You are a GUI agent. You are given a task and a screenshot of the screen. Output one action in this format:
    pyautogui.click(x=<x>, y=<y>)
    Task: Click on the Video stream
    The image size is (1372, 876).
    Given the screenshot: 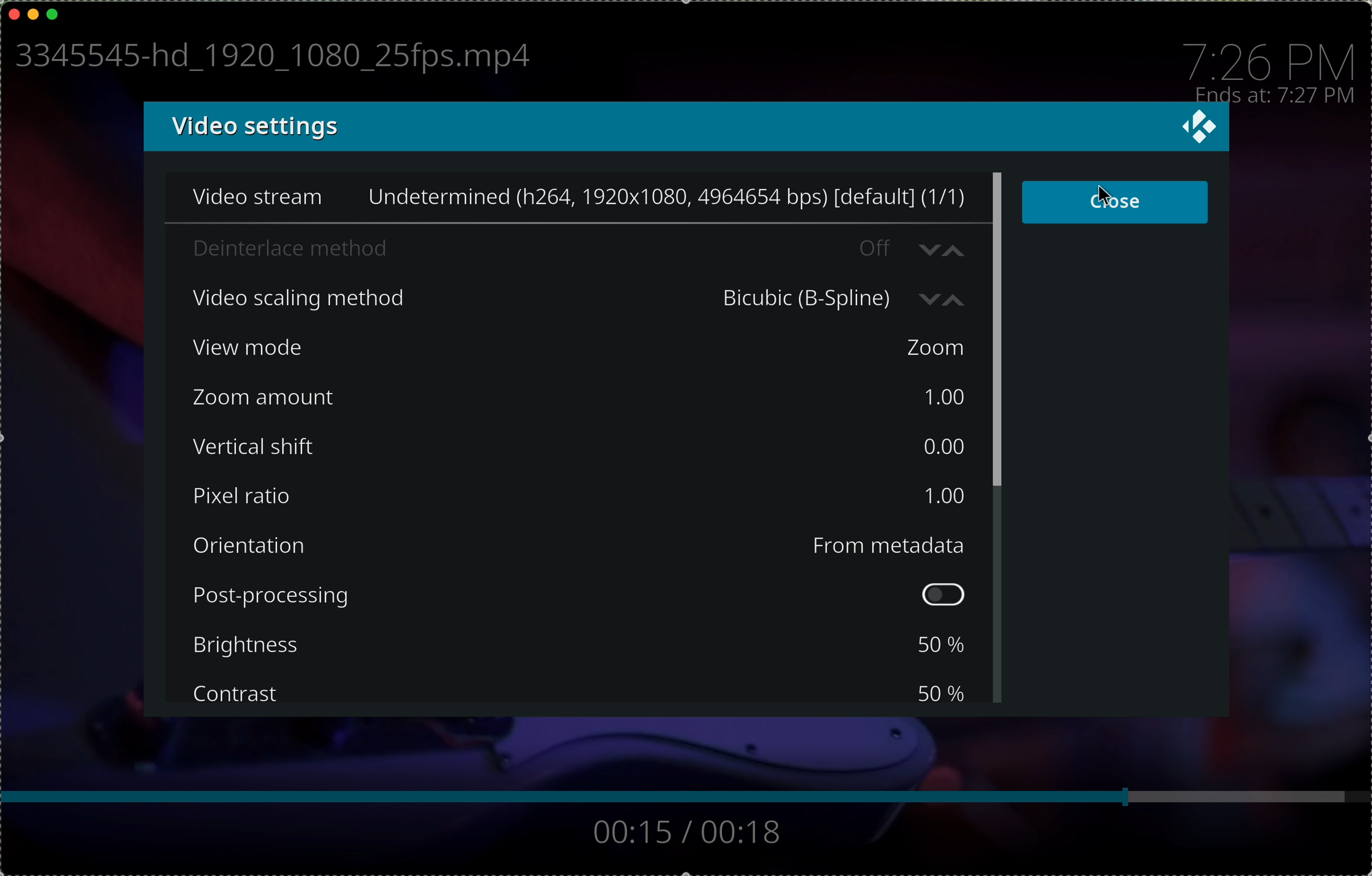 What is the action you would take?
    pyautogui.click(x=256, y=195)
    